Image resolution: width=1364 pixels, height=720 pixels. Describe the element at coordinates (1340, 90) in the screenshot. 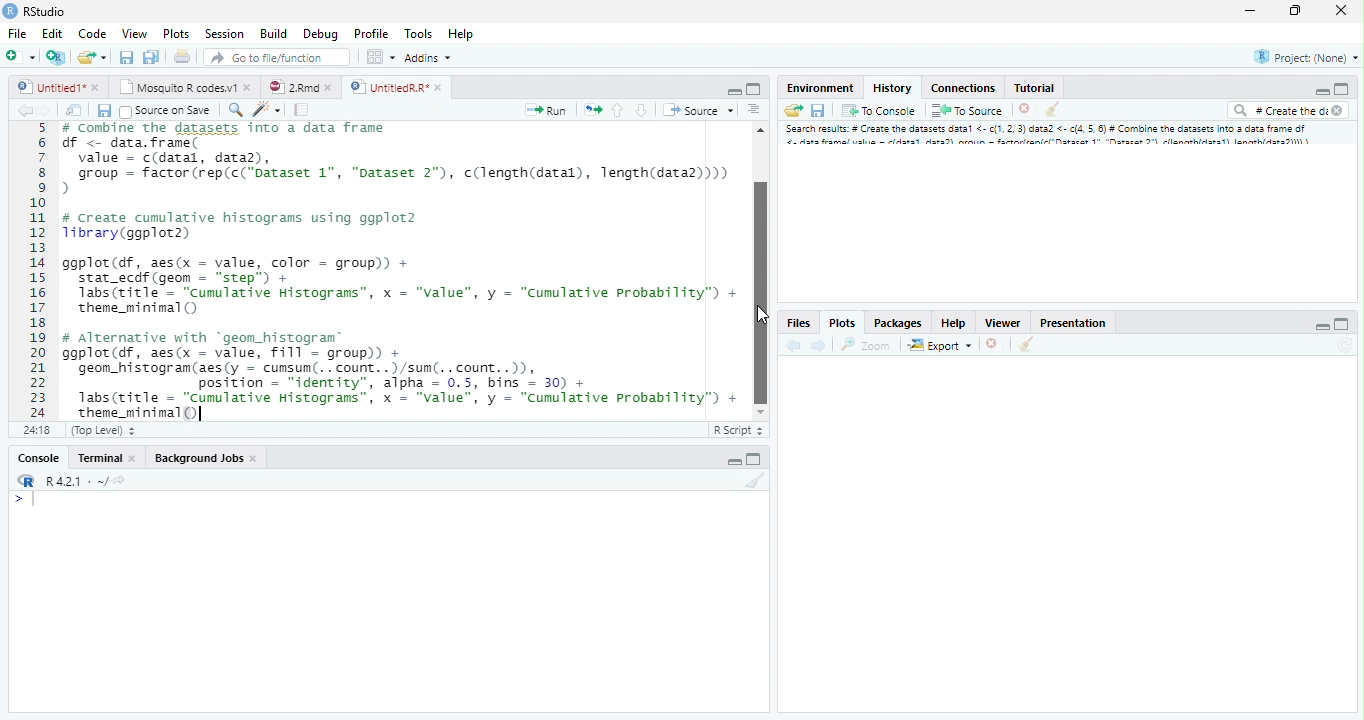

I see `Maximize` at that location.